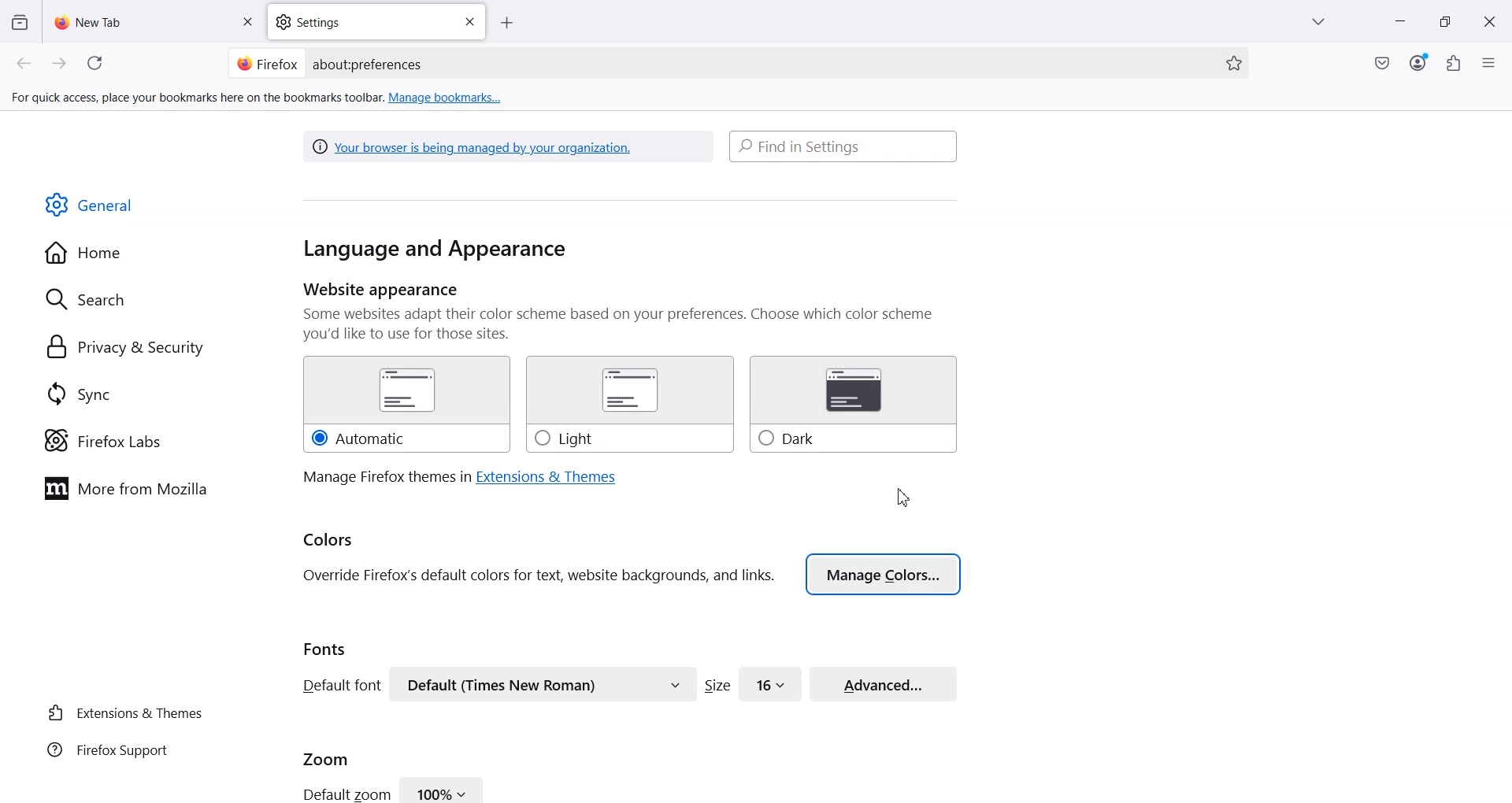 This screenshot has width=1512, height=803. I want to click on Size, so click(717, 685).